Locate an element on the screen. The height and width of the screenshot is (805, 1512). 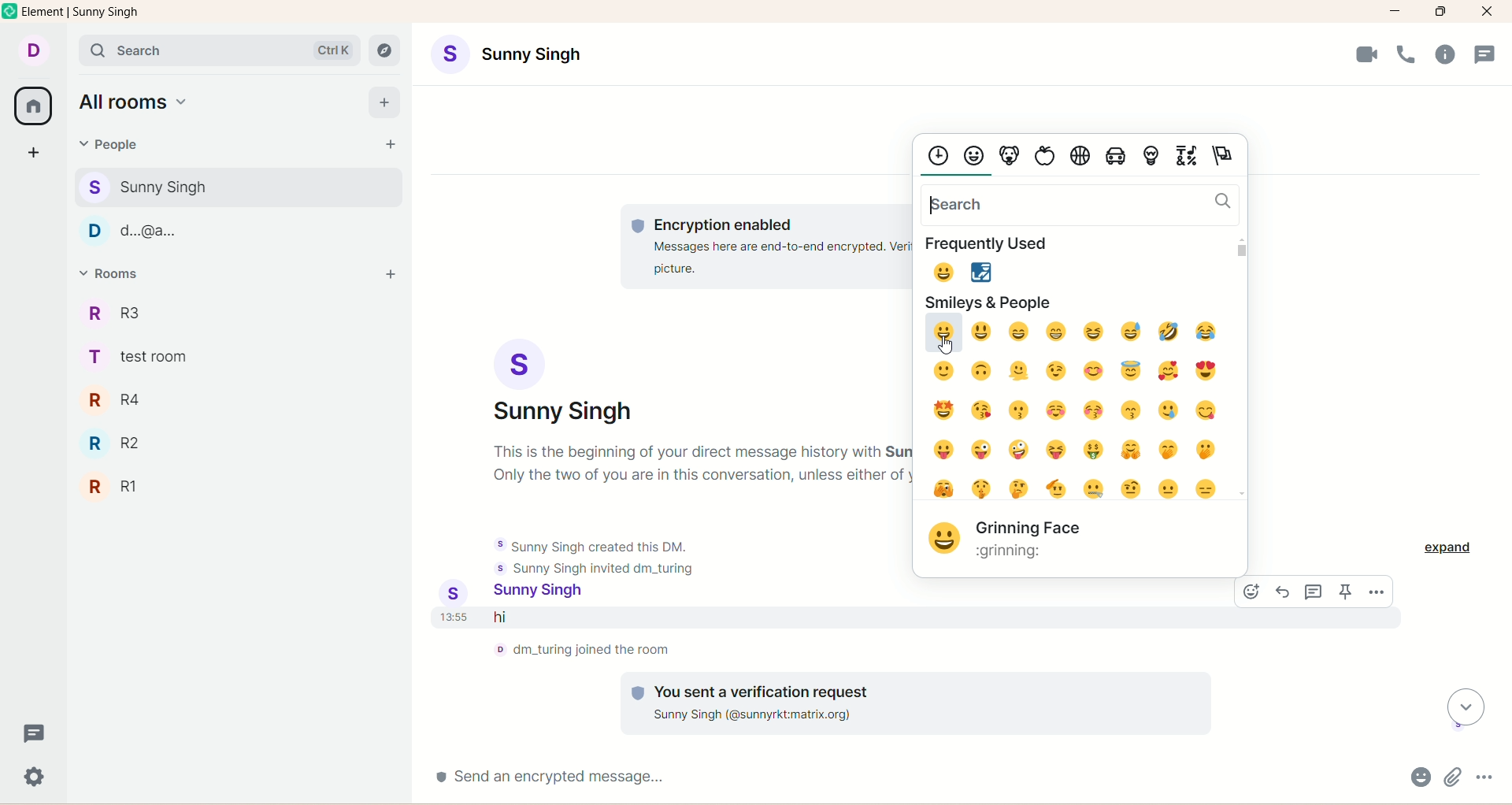
Smiling face with smiling eyes is located at coordinates (1095, 371).